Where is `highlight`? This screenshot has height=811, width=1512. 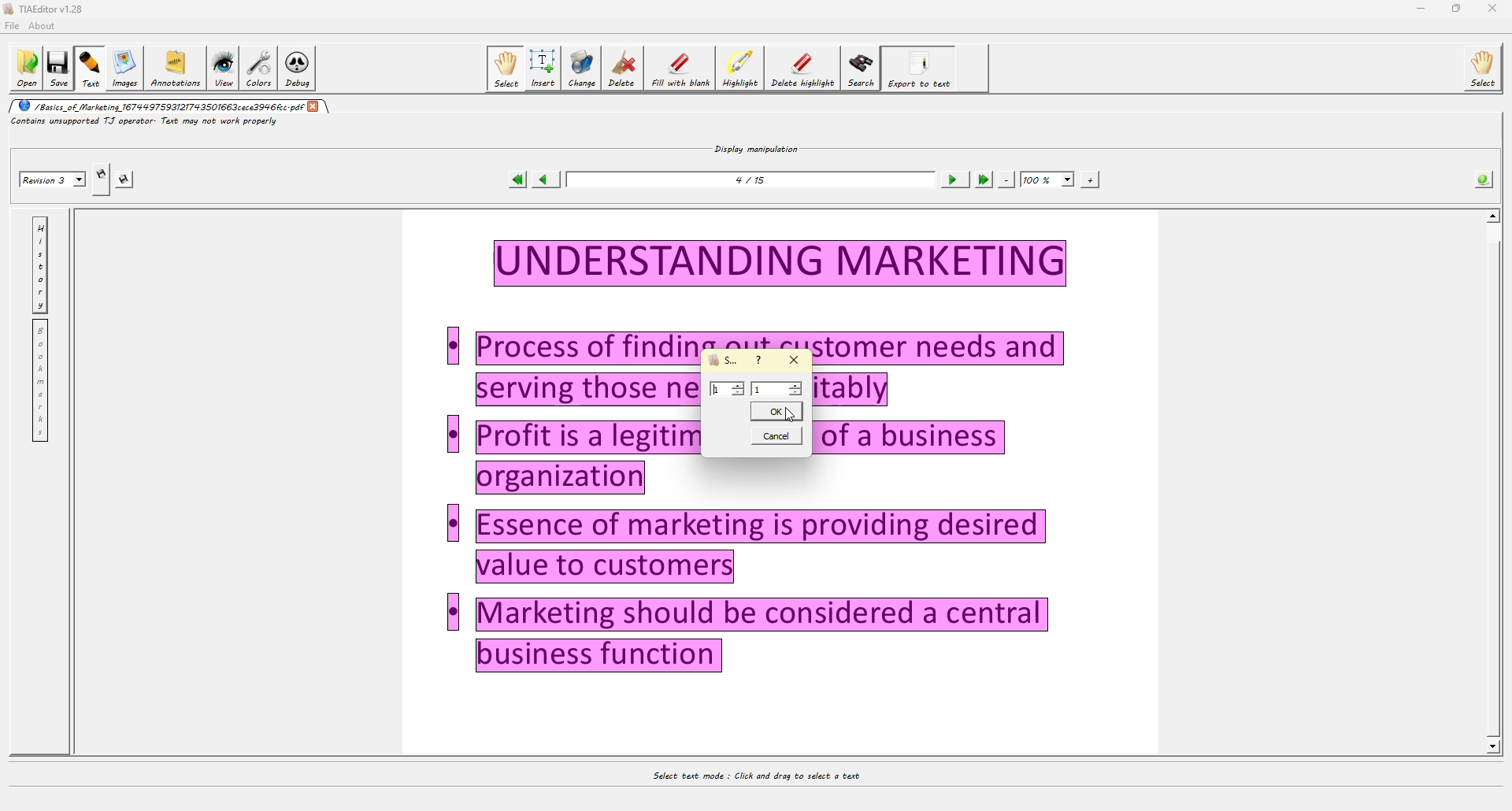
highlight is located at coordinates (743, 68).